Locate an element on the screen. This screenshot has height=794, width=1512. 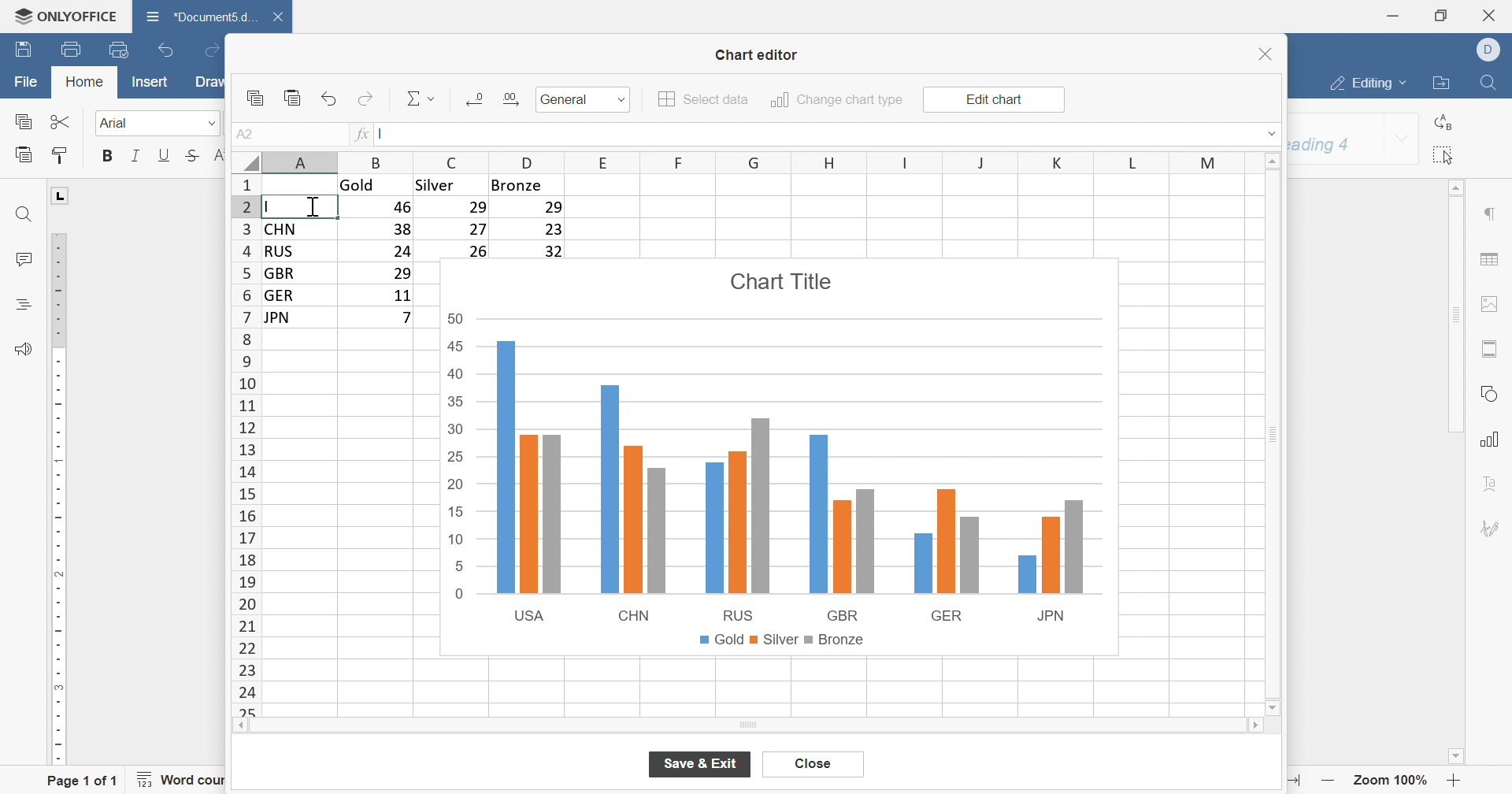
Table is located at coordinates (348, 276).